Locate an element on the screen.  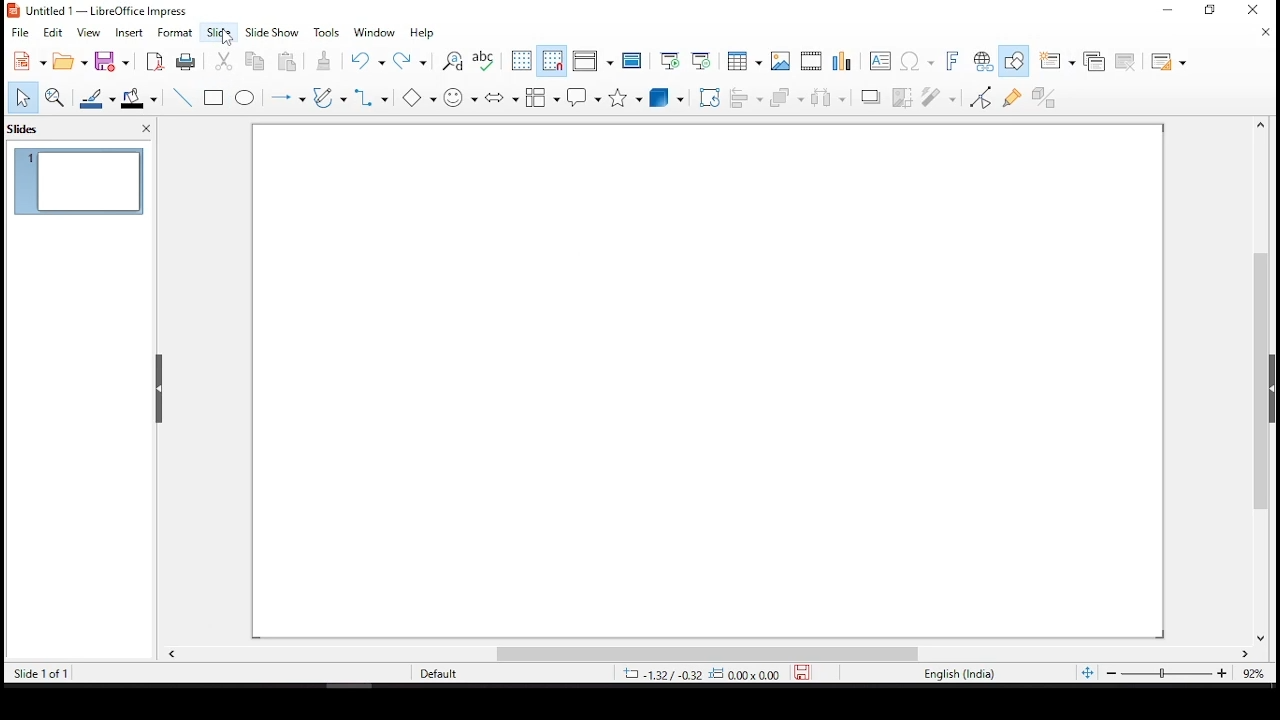
insert font work text is located at coordinates (951, 57).